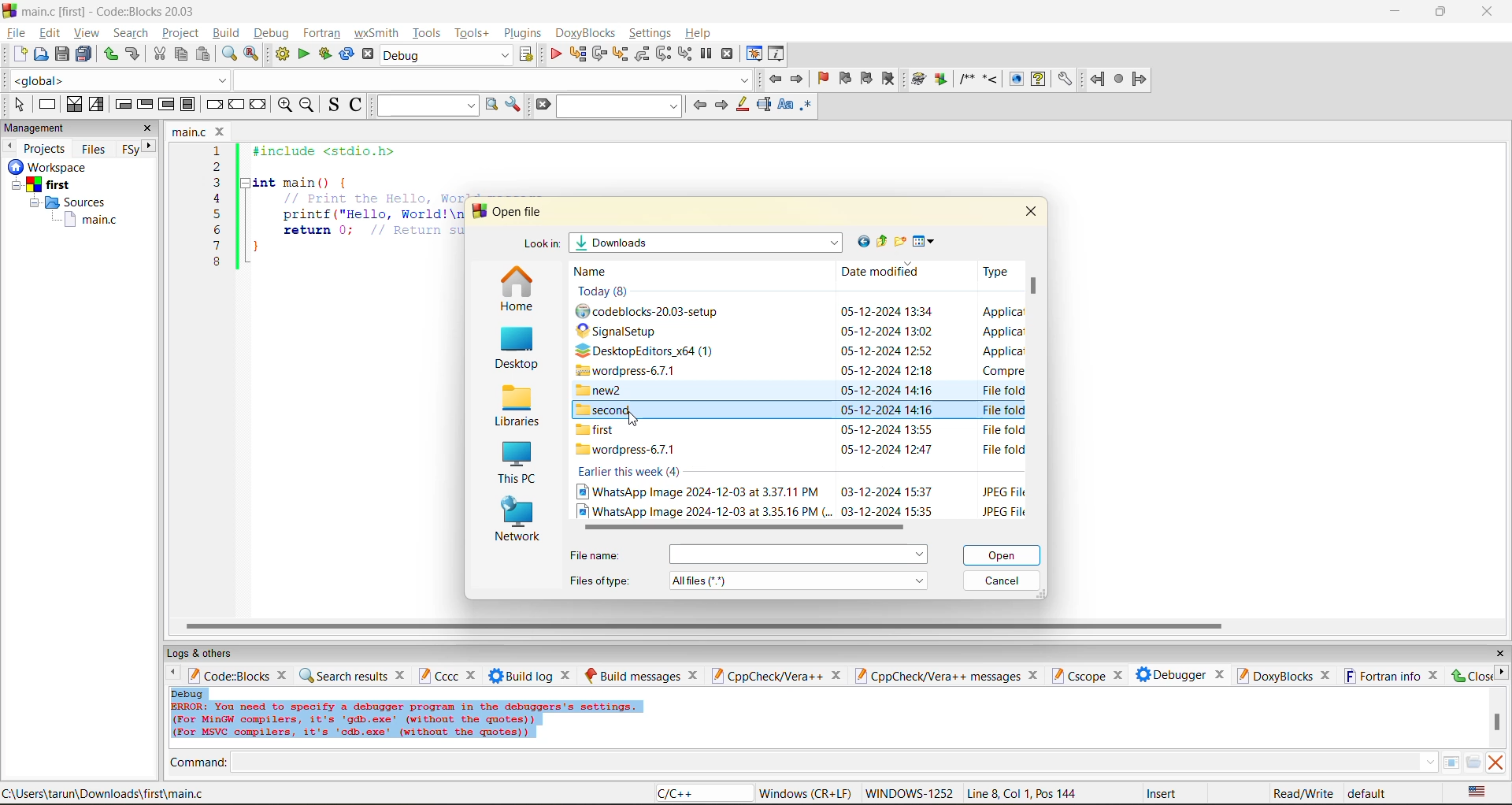  Describe the element at coordinates (228, 54) in the screenshot. I see `find` at that location.